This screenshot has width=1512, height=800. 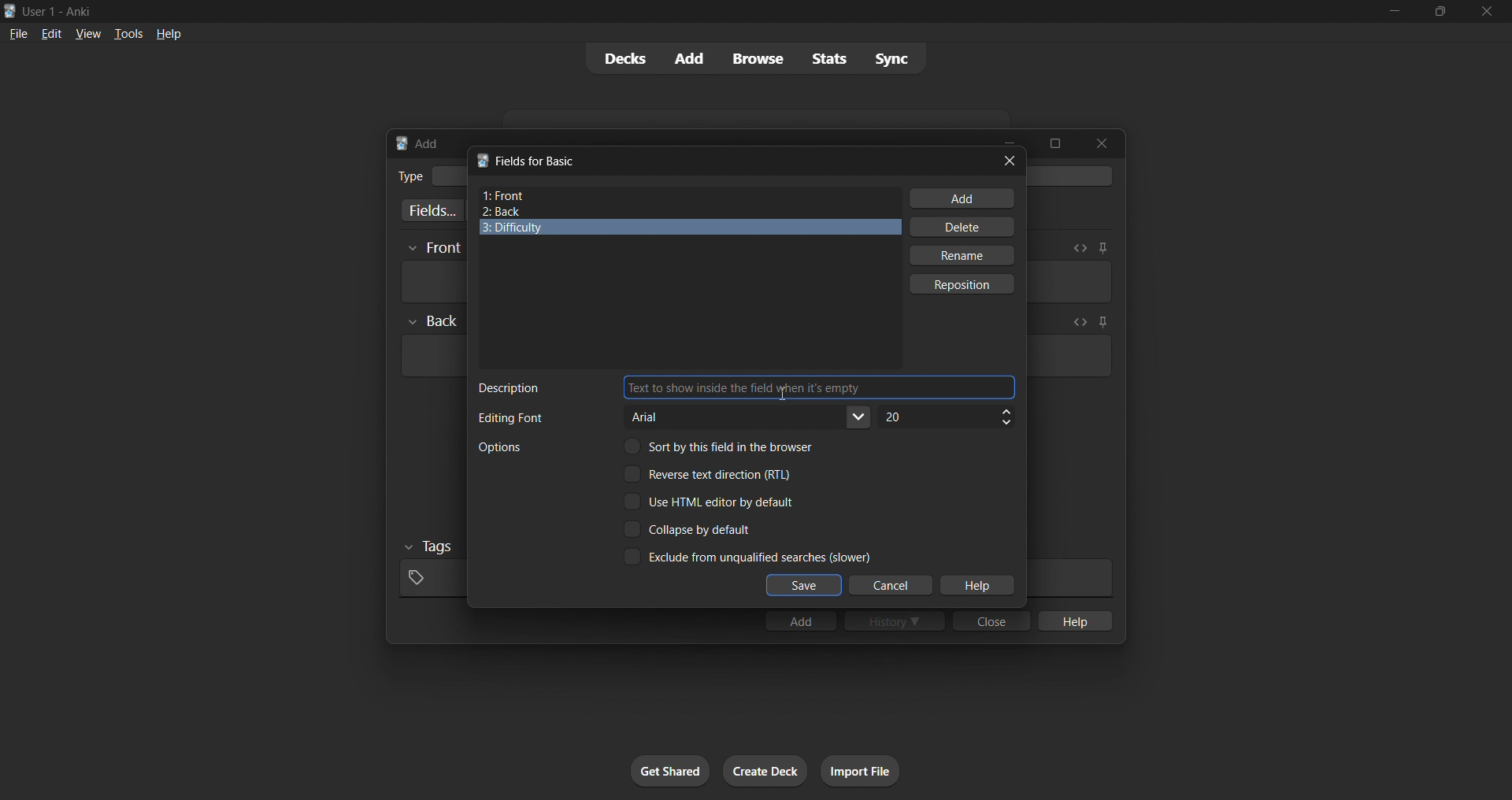 I want to click on add, so click(x=800, y=620).